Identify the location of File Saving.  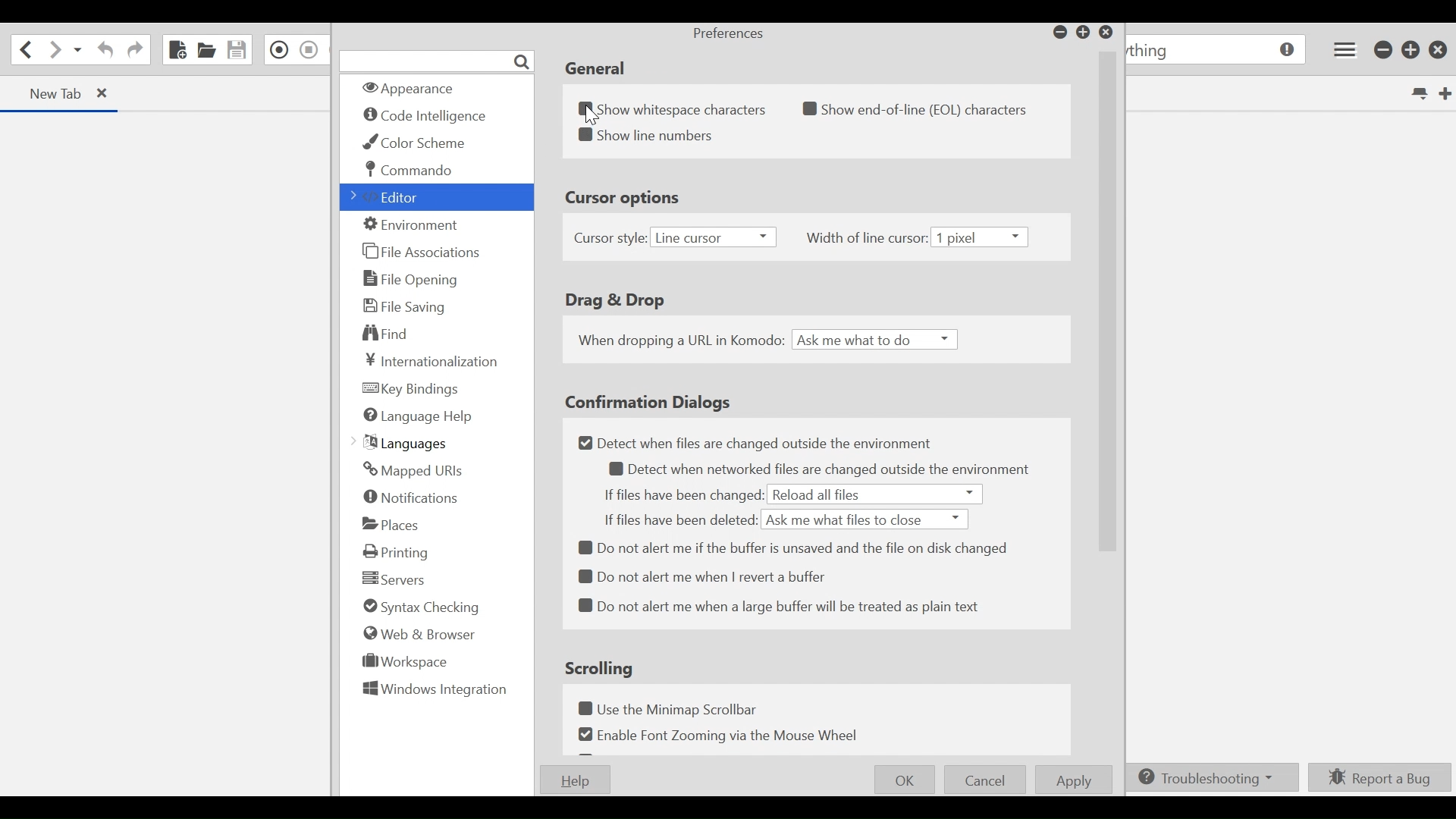
(403, 306).